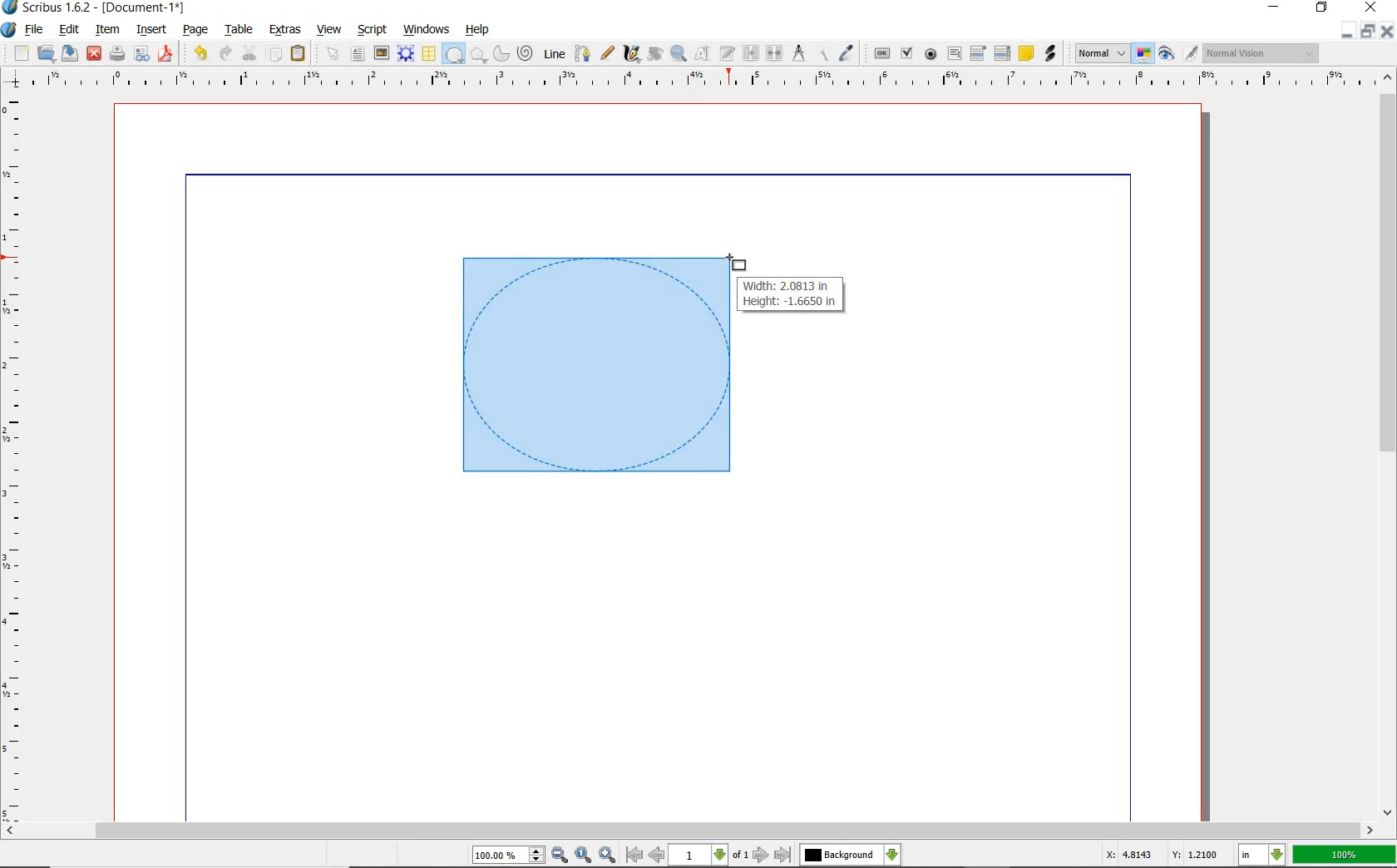 This screenshot has width=1397, height=868. What do you see at coordinates (634, 855) in the screenshot?
I see `first` at bounding box center [634, 855].